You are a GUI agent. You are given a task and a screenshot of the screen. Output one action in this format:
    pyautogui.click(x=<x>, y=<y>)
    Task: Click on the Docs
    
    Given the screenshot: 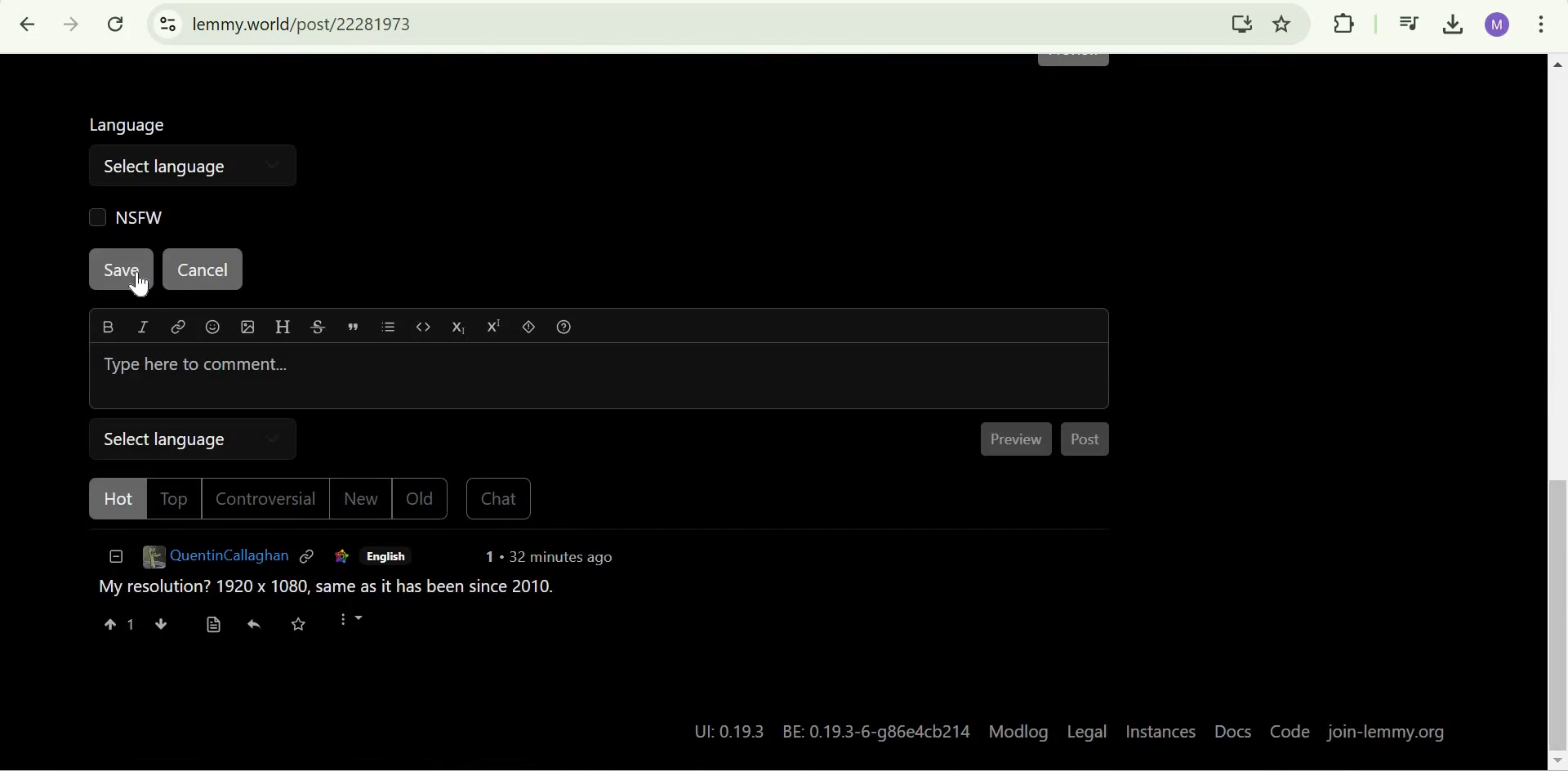 What is the action you would take?
    pyautogui.click(x=1232, y=733)
    